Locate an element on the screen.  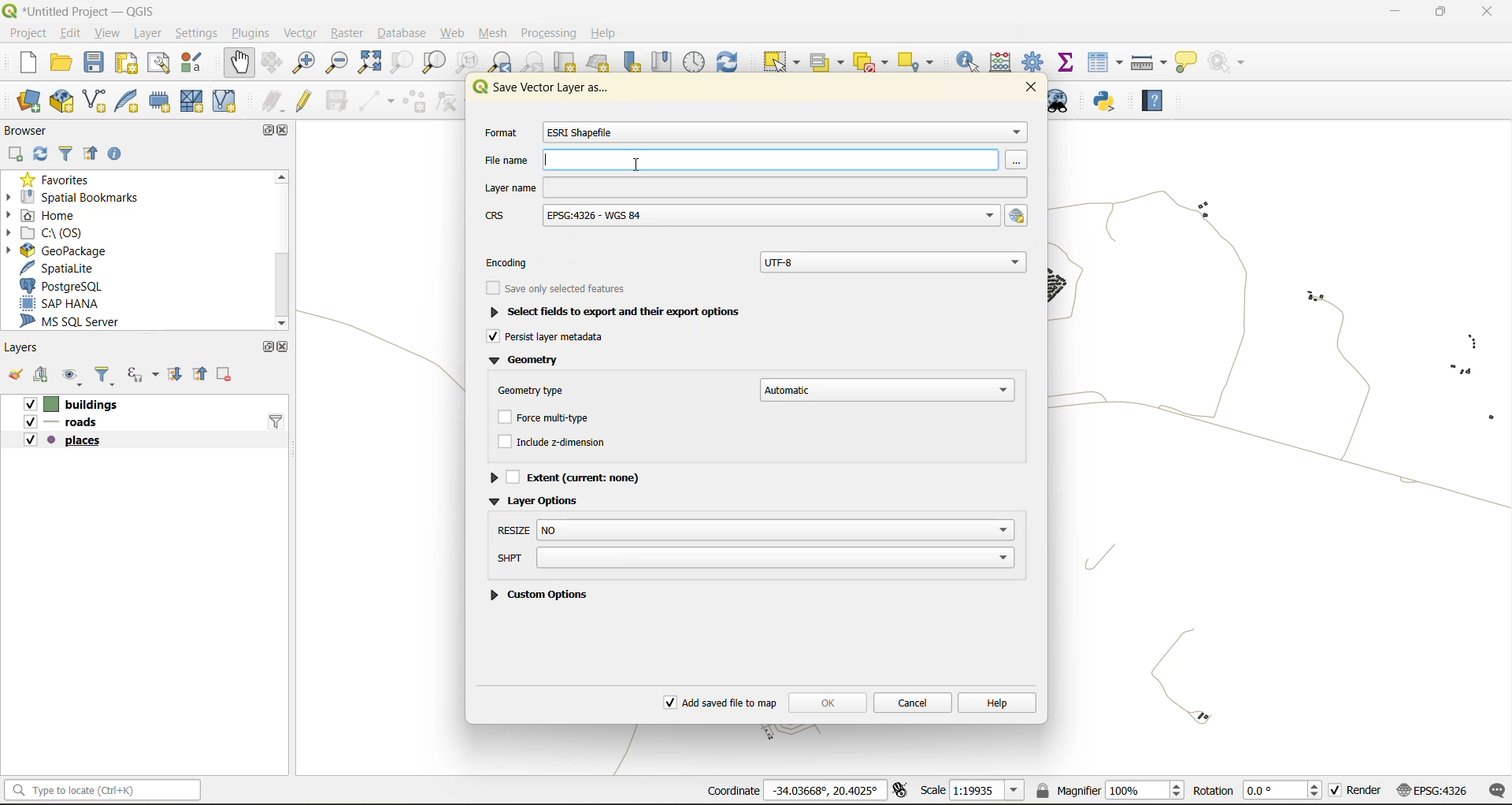
help is located at coordinates (1002, 702).